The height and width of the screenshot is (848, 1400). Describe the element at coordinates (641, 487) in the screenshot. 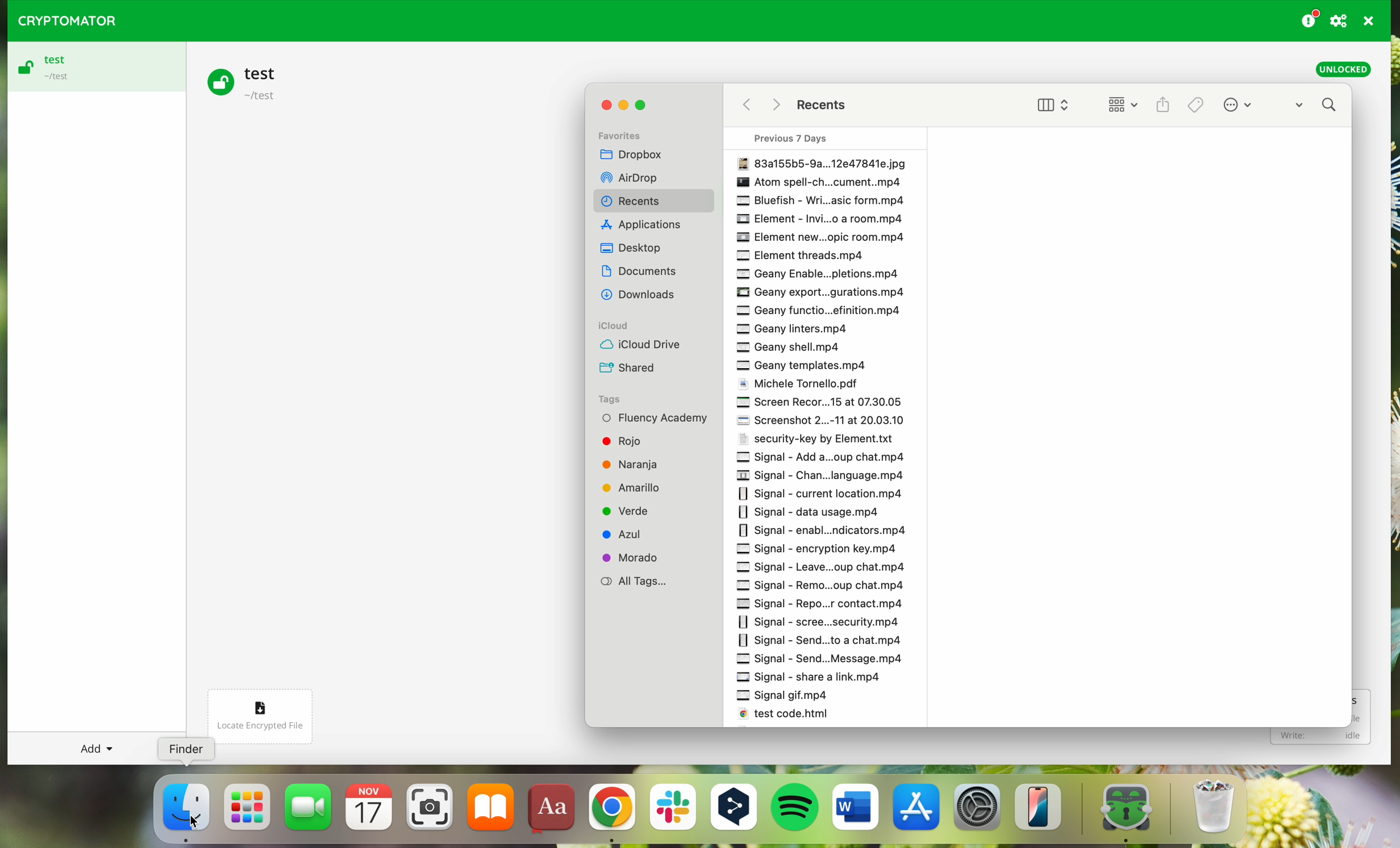

I see `Amarillo` at that location.